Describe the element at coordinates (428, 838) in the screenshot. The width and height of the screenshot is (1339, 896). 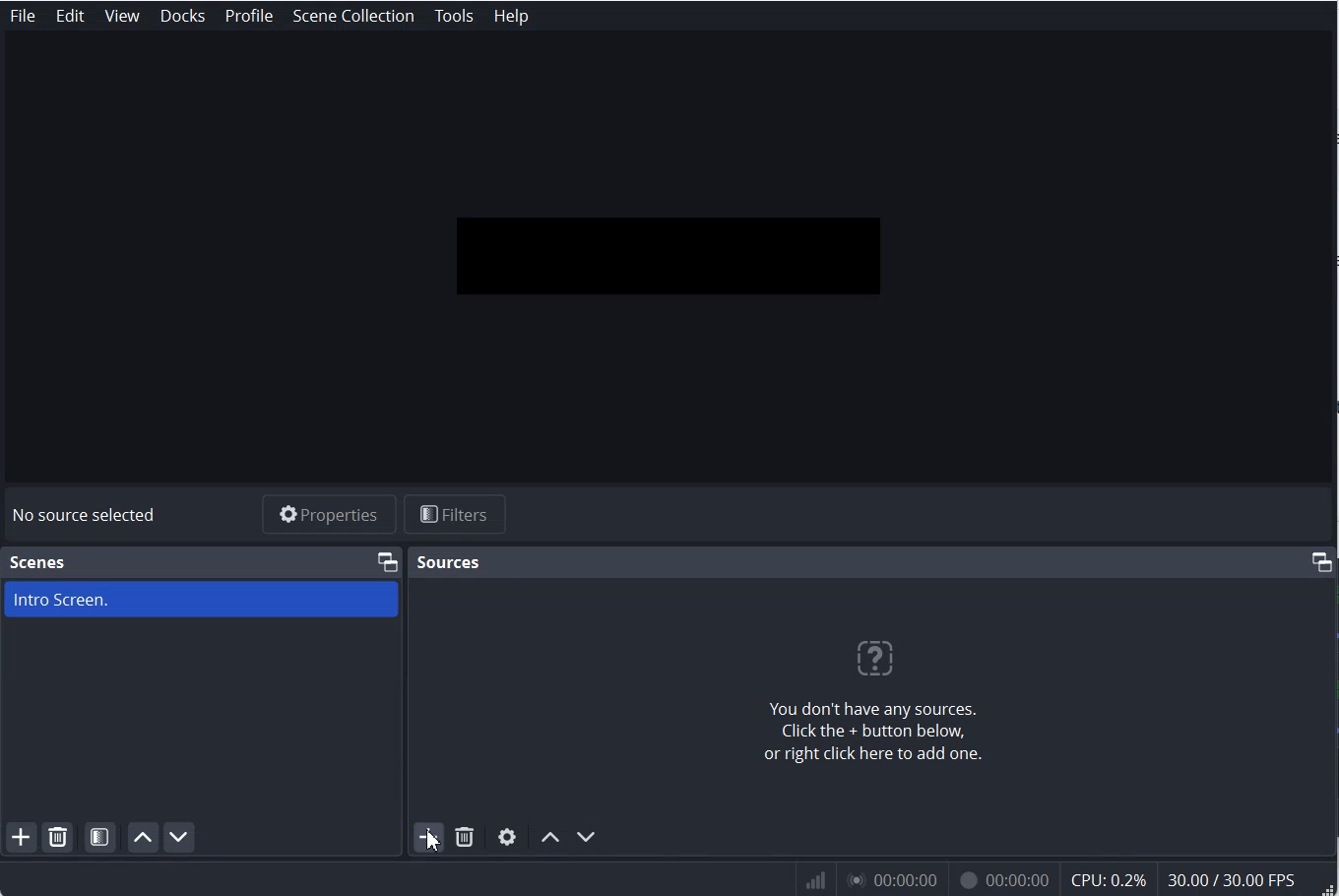
I see `Add Source` at that location.